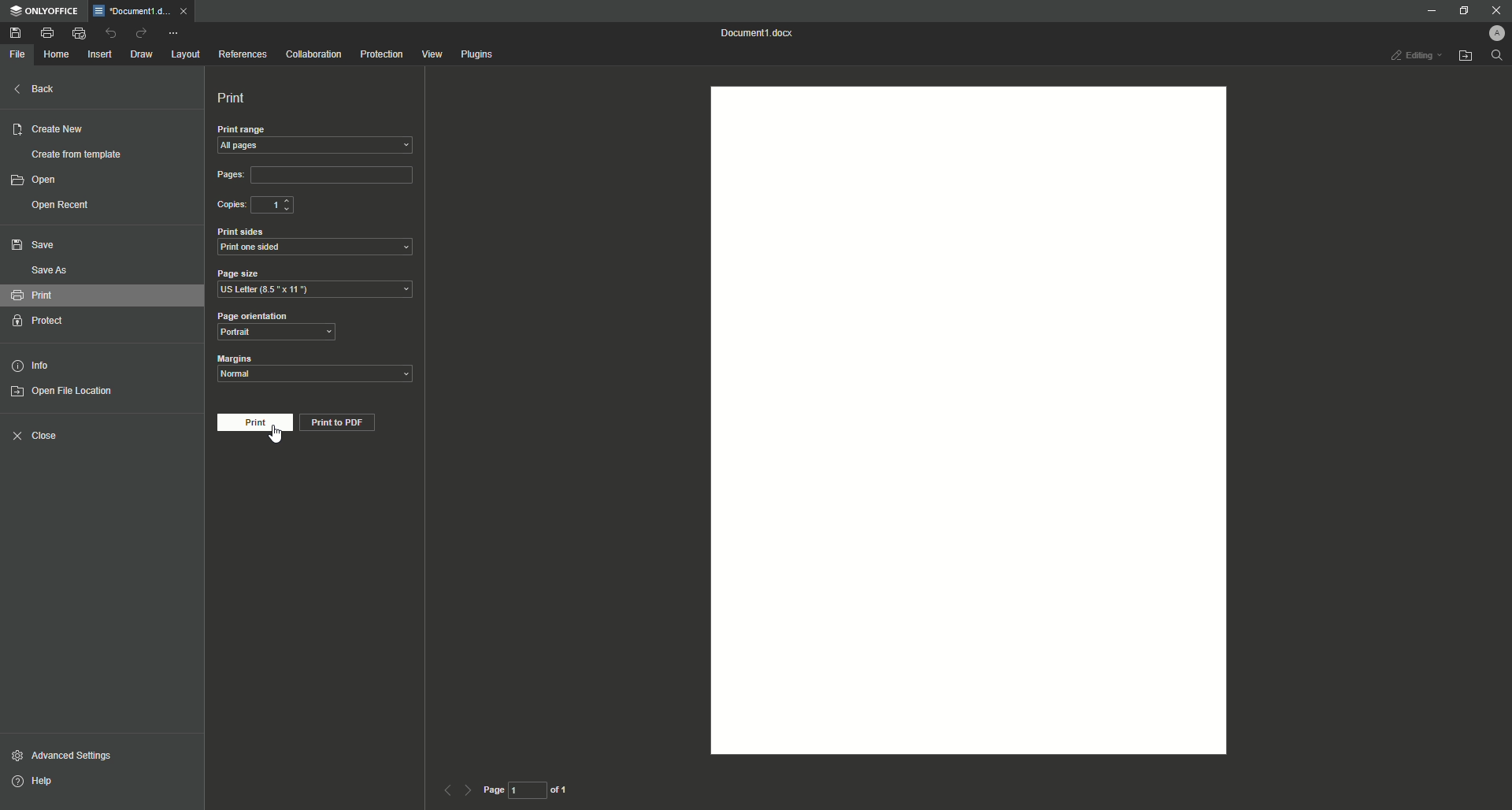 The image size is (1512, 810). Describe the element at coordinates (270, 314) in the screenshot. I see `Page Orientation` at that location.